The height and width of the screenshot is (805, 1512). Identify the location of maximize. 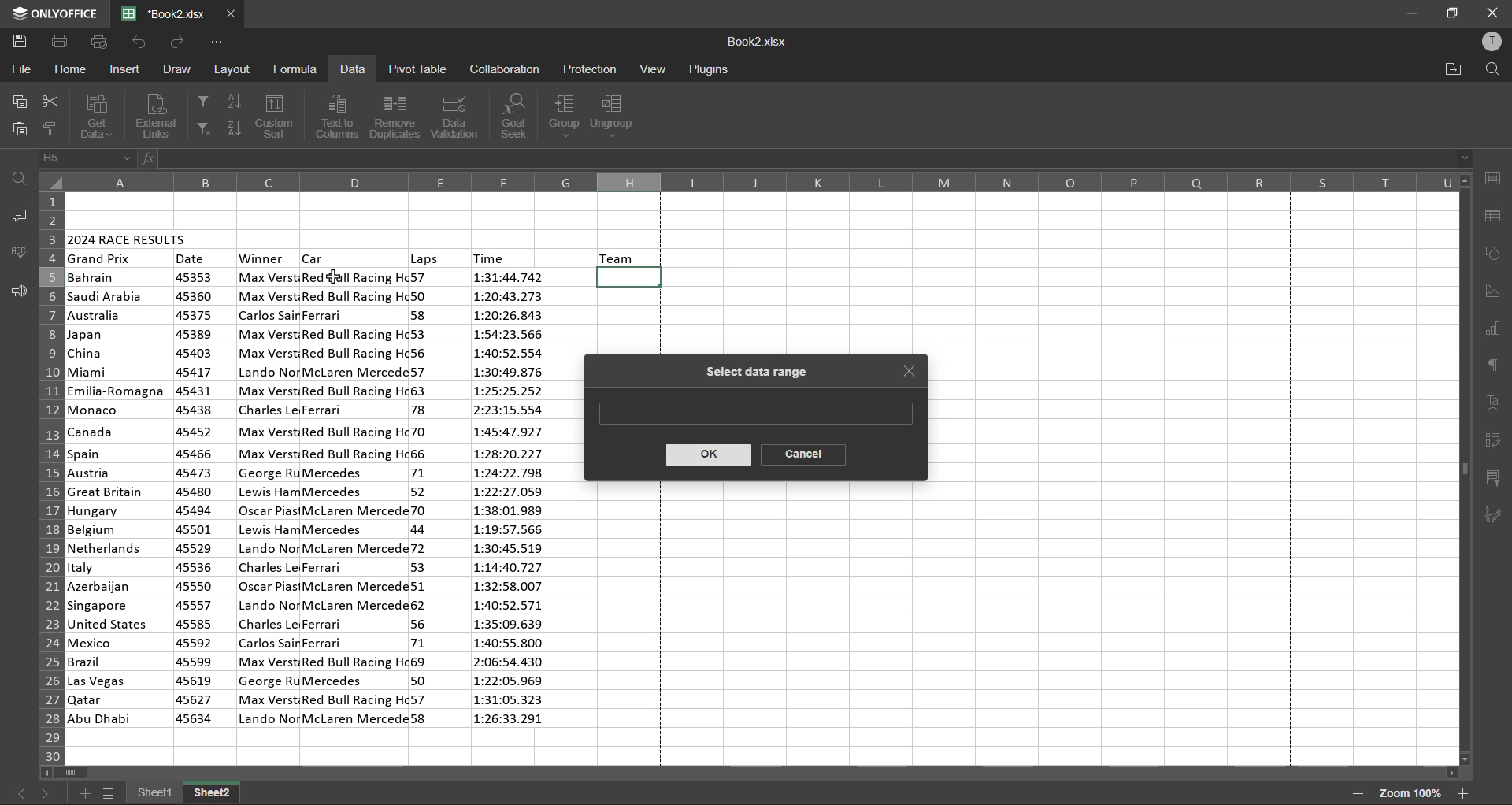
(1455, 12).